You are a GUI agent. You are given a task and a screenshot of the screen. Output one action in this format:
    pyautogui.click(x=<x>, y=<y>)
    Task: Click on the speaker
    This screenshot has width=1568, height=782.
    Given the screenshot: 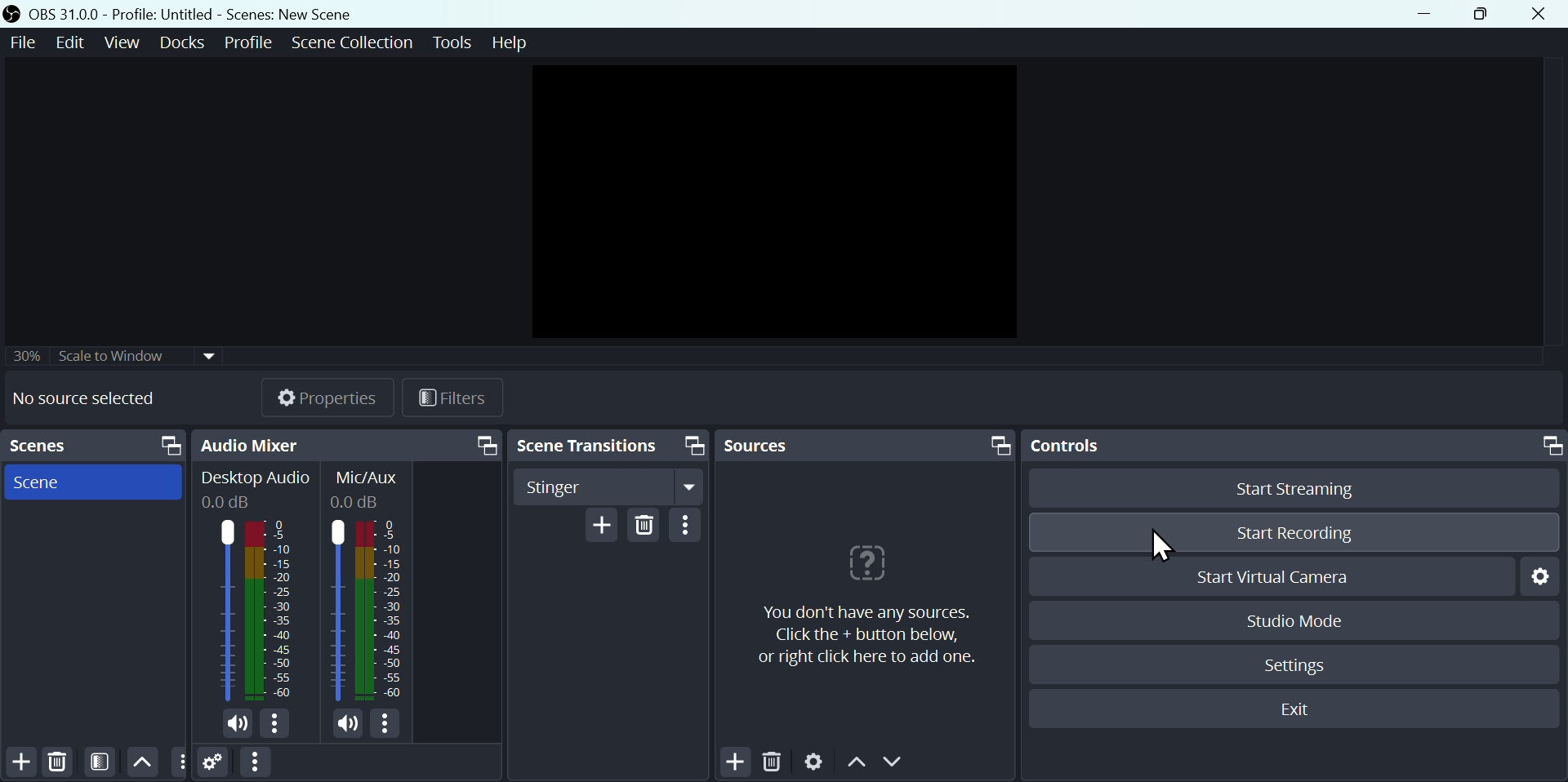 What is the action you would take?
    pyautogui.click(x=236, y=724)
    